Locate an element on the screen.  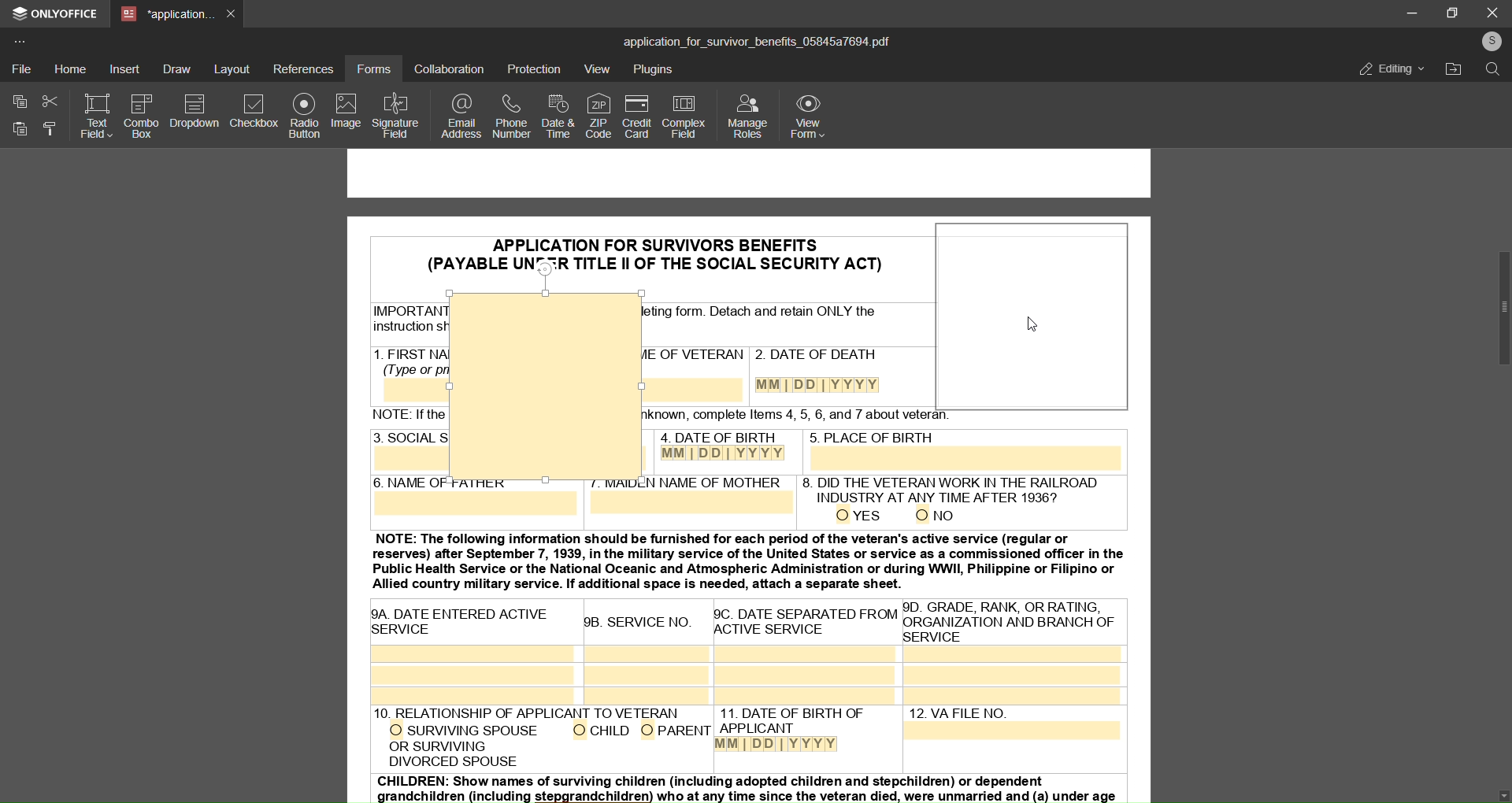
cursor is located at coordinates (1037, 330).